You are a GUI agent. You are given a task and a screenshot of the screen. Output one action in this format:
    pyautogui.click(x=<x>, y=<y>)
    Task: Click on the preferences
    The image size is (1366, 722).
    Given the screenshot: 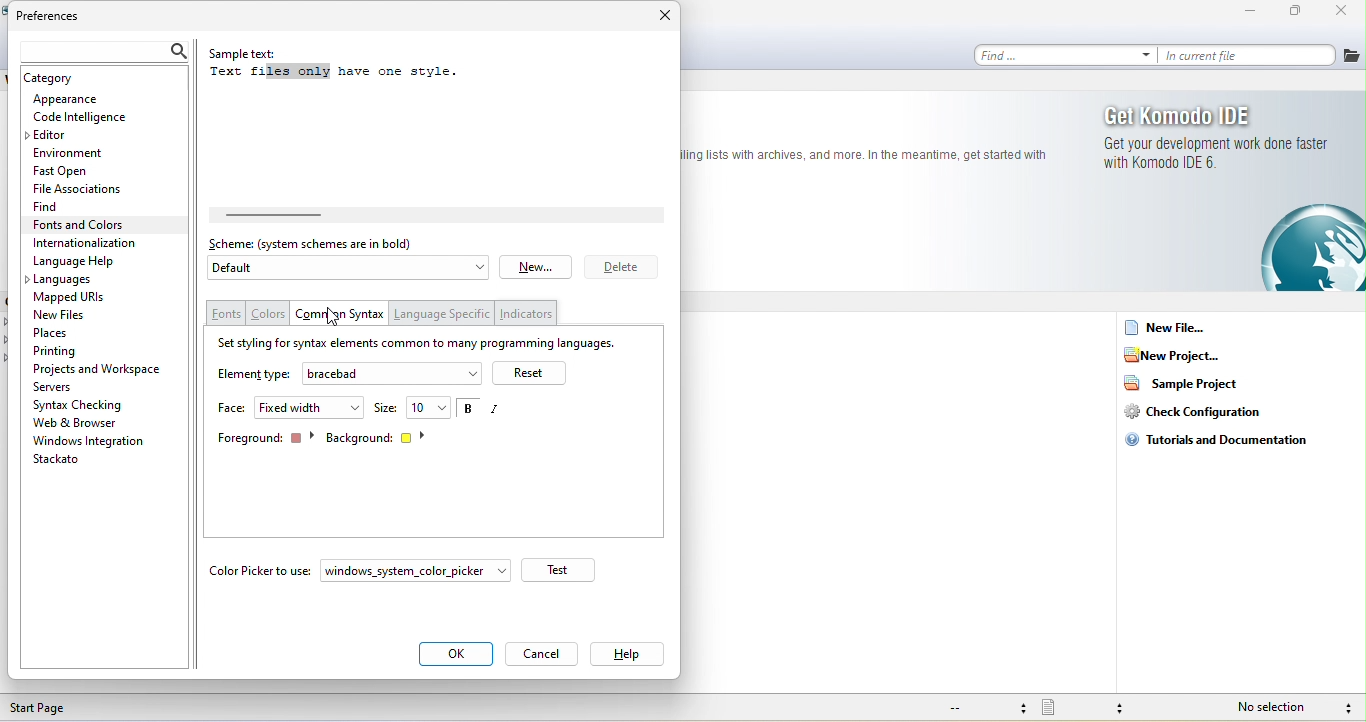 What is the action you would take?
    pyautogui.click(x=58, y=17)
    